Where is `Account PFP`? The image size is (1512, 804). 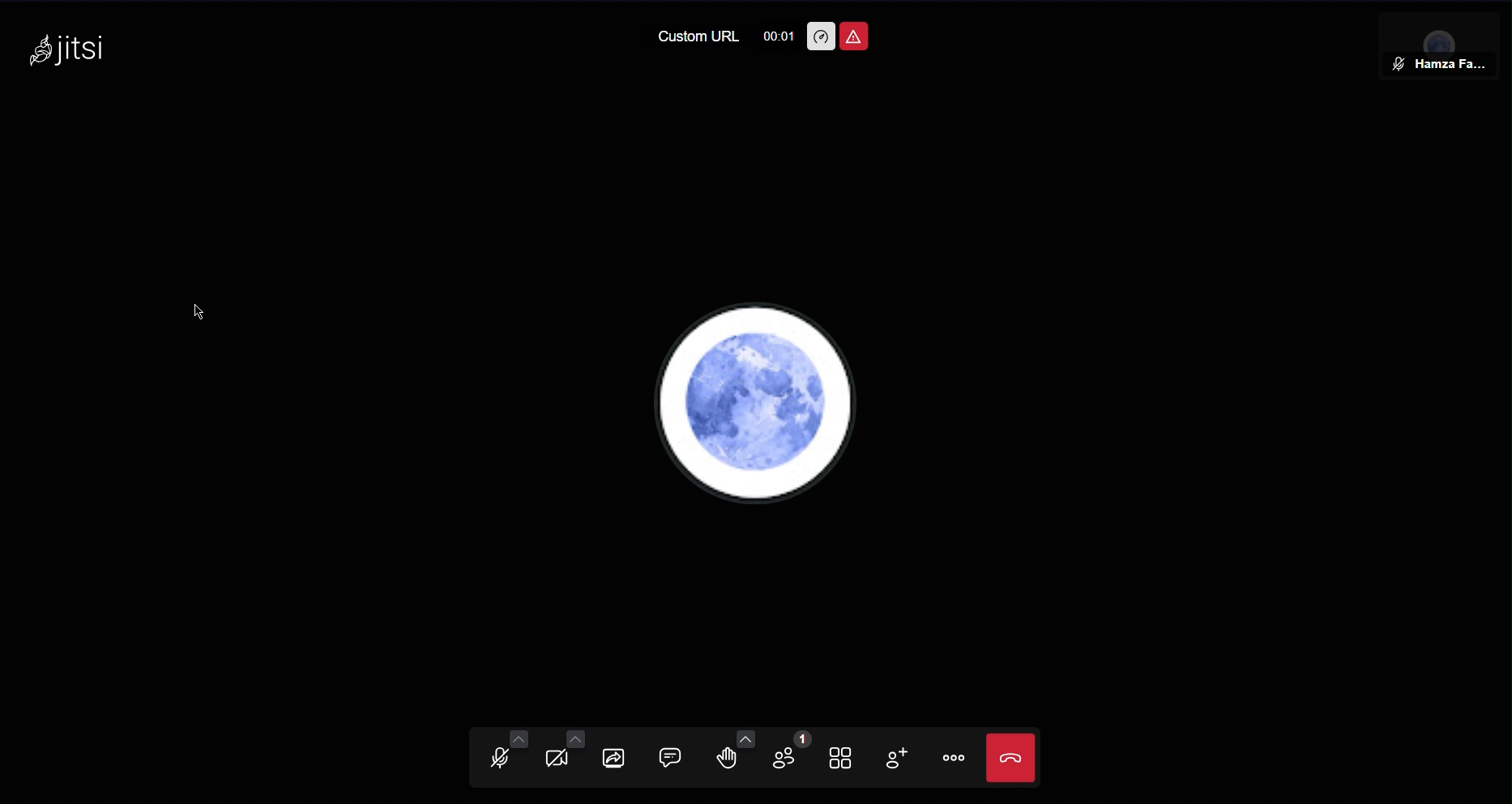
Account PFP is located at coordinates (758, 407).